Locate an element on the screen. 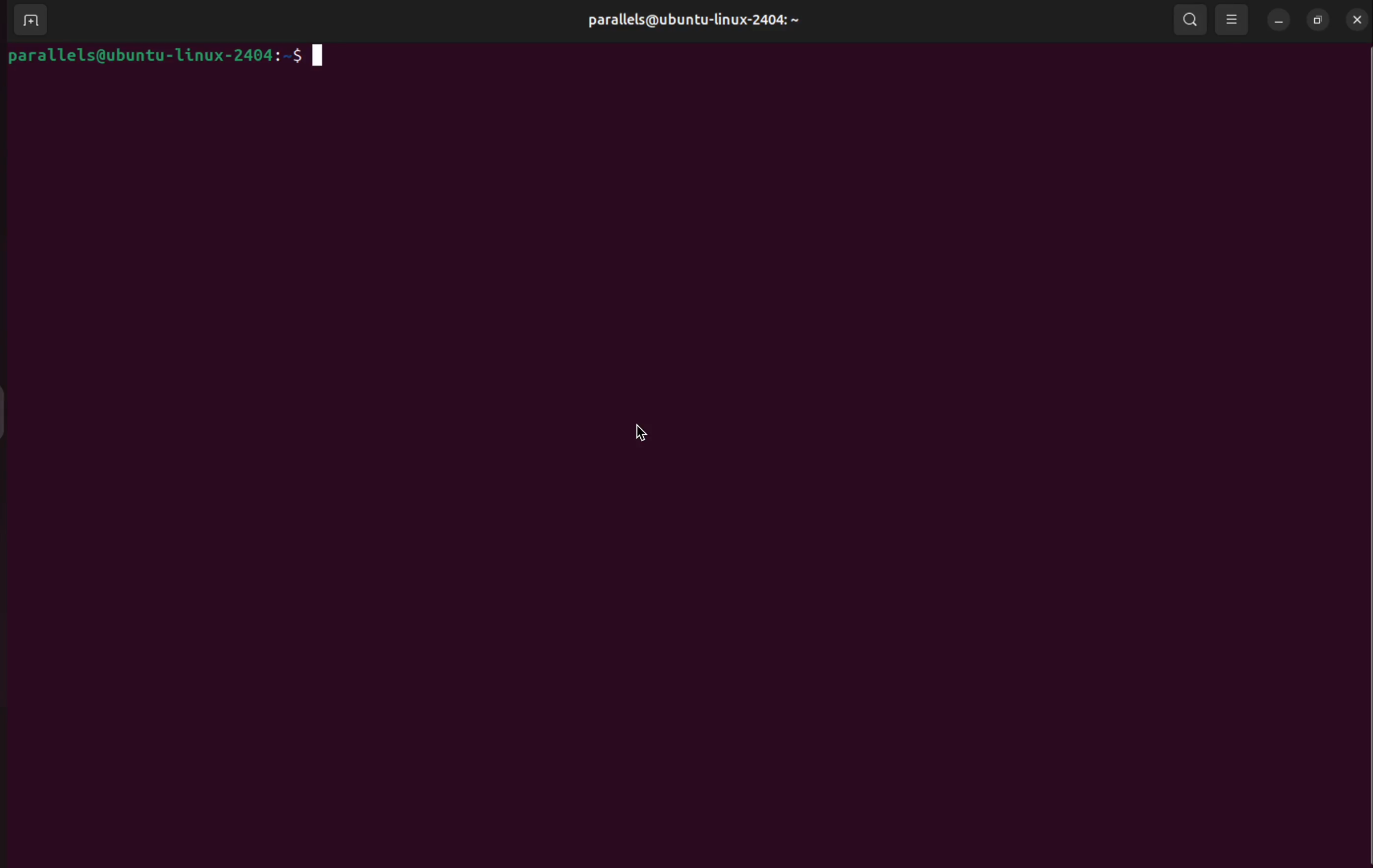  view options is located at coordinates (1233, 20).